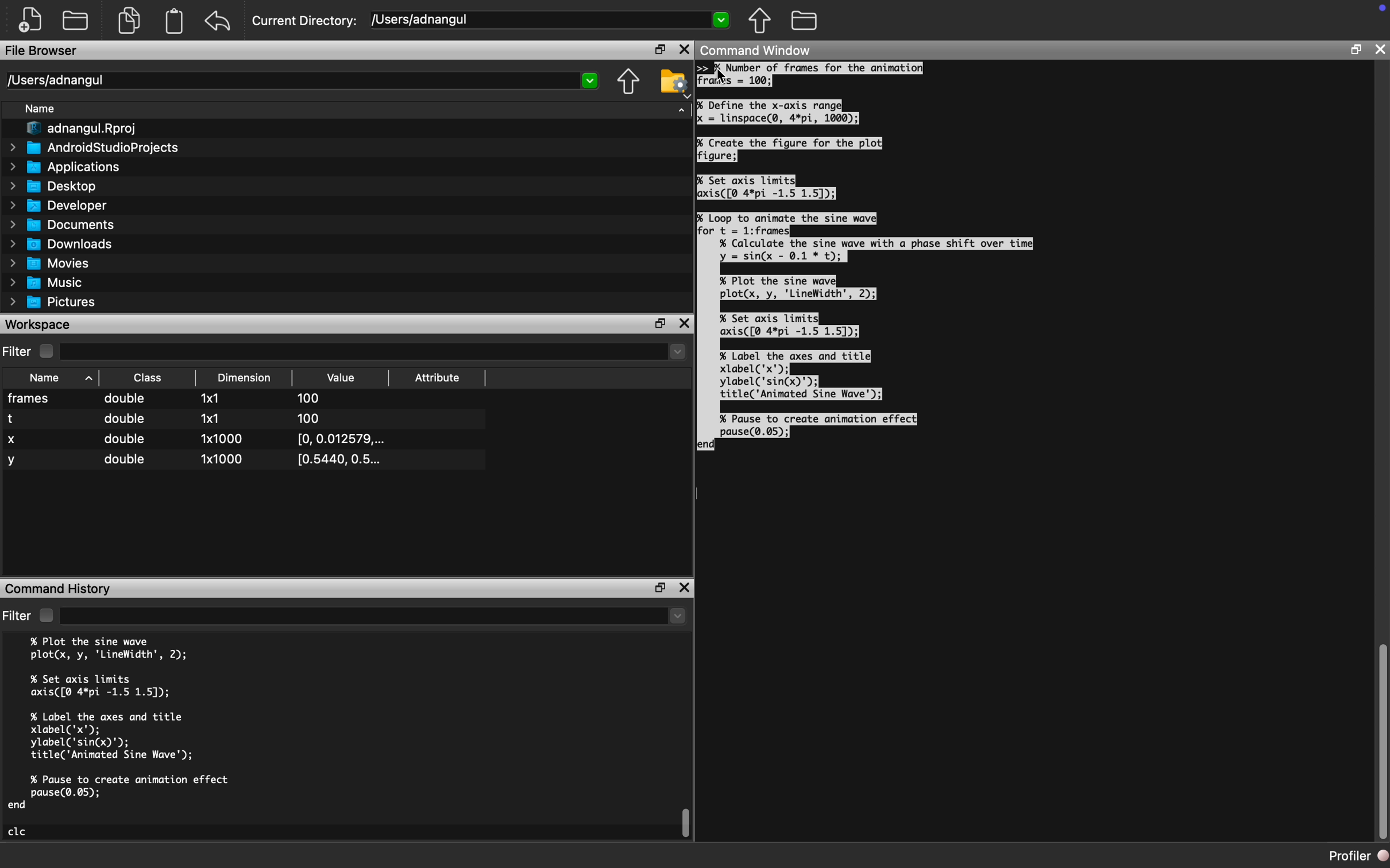  Describe the element at coordinates (43, 52) in the screenshot. I see `File Browser` at that location.